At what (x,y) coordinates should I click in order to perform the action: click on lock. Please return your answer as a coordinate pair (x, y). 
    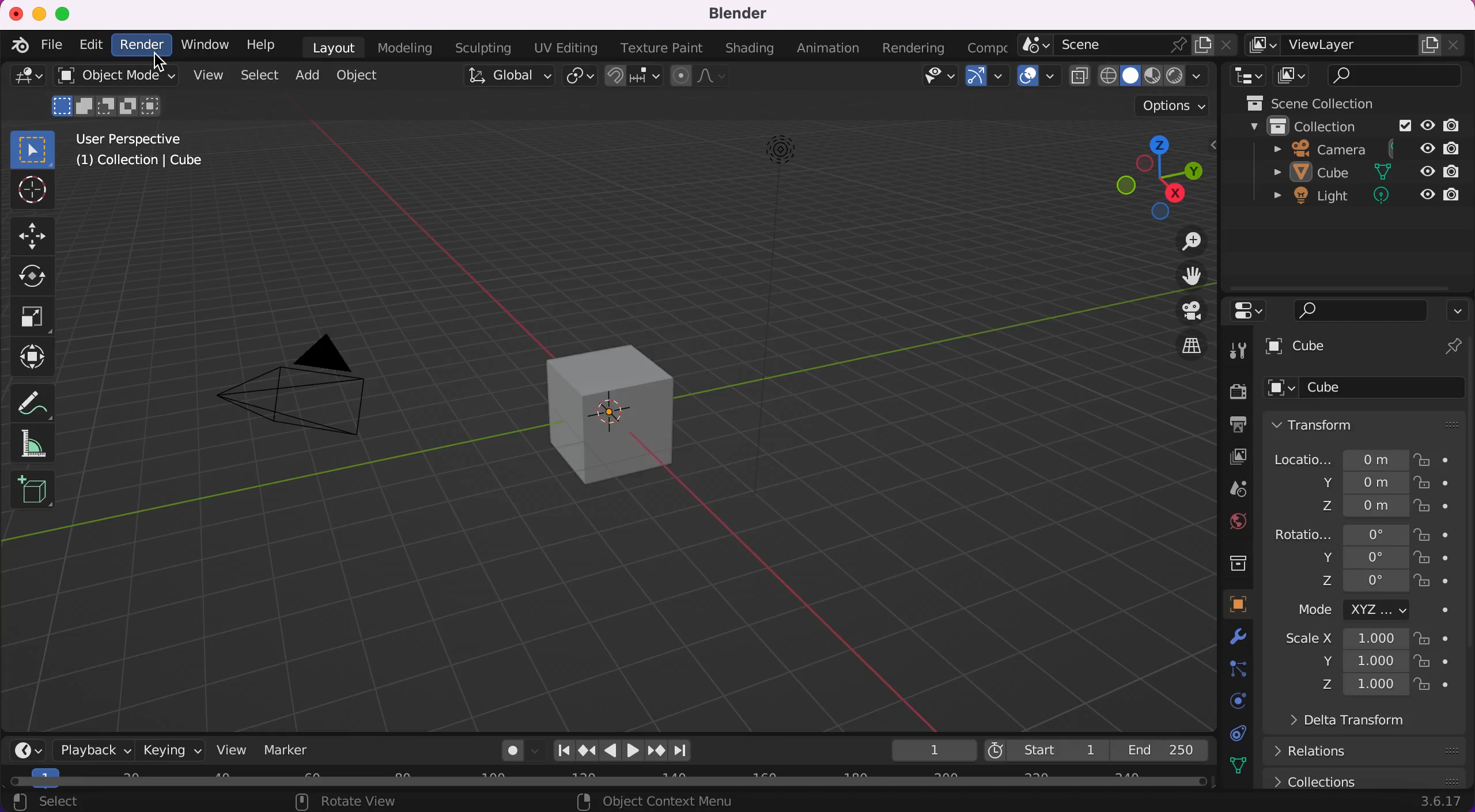
    Looking at the image, I should click on (1434, 534).